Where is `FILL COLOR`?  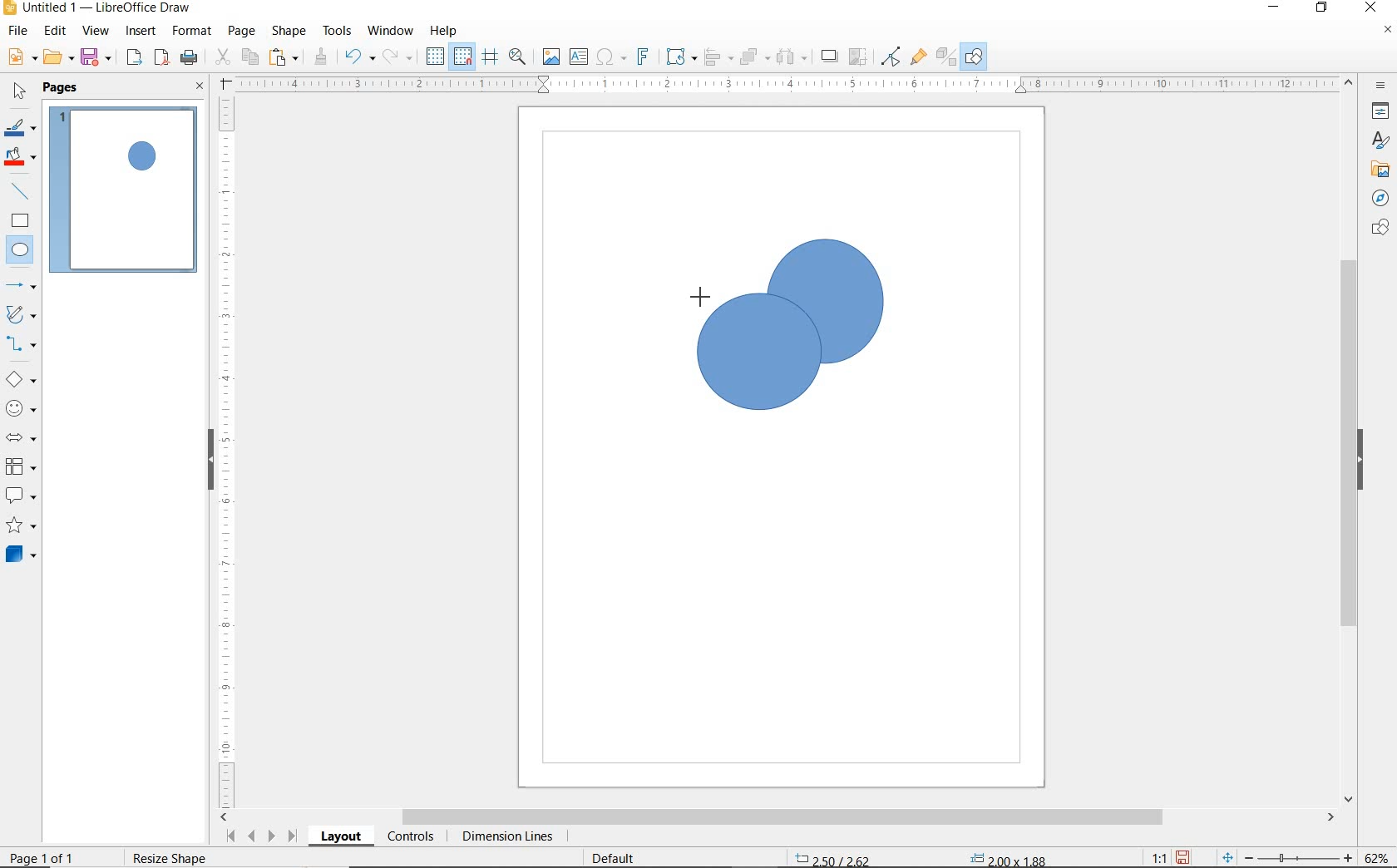 FILL COLOR is located at coordinates (22, 158).